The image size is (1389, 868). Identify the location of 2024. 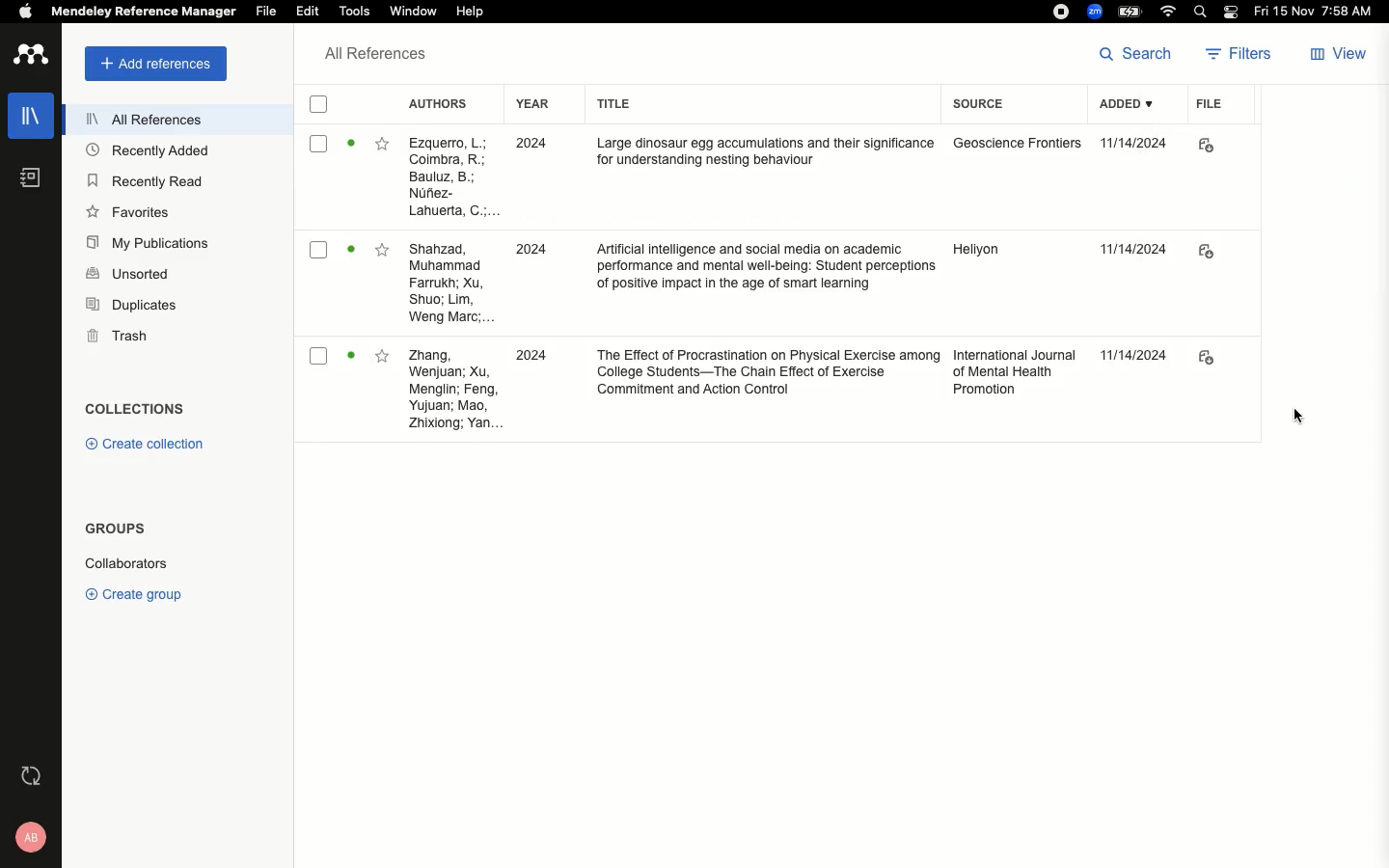
(528, 357).